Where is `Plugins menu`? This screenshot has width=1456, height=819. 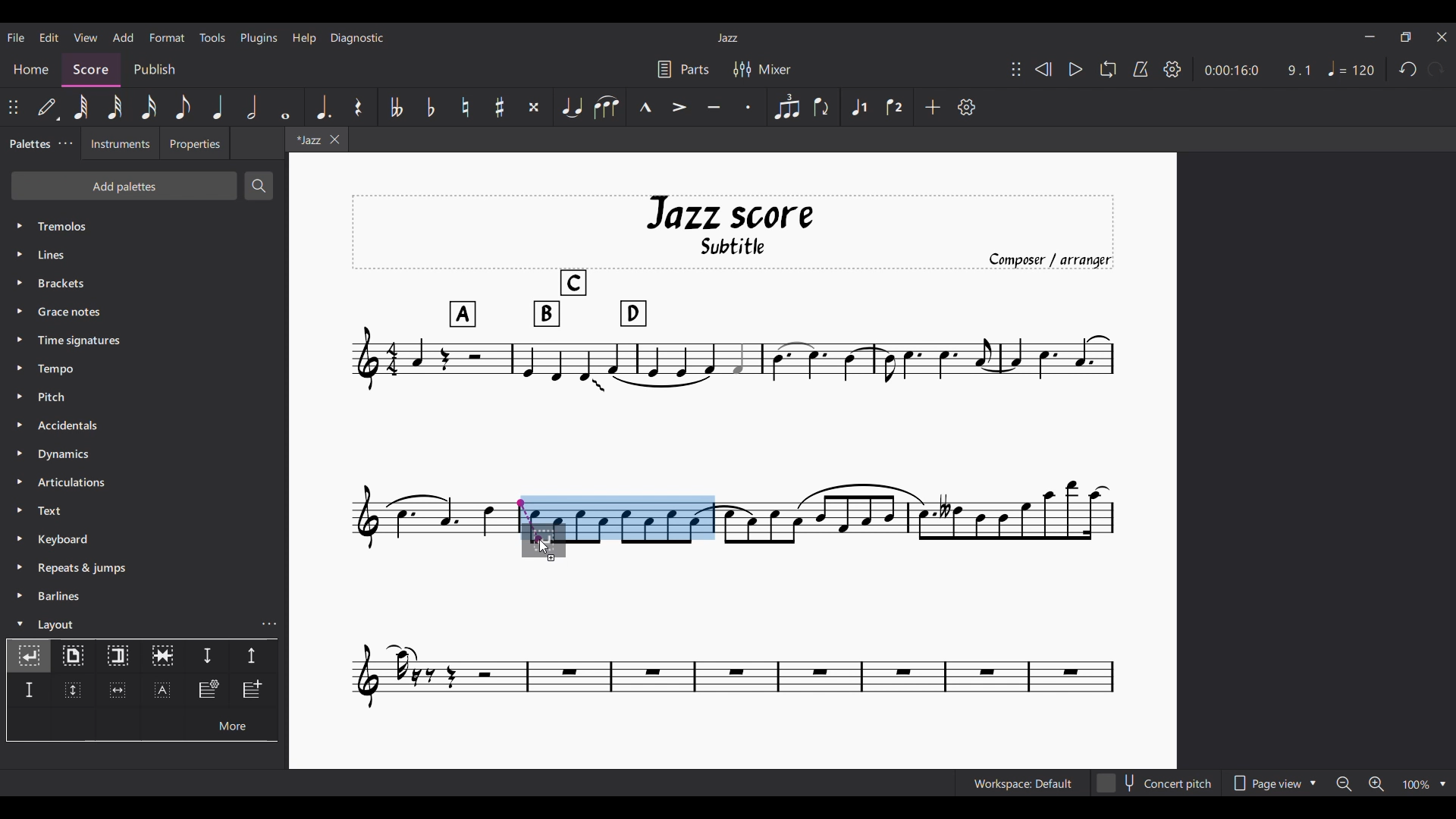
Plugins menu is located at coordinates (259, 38).